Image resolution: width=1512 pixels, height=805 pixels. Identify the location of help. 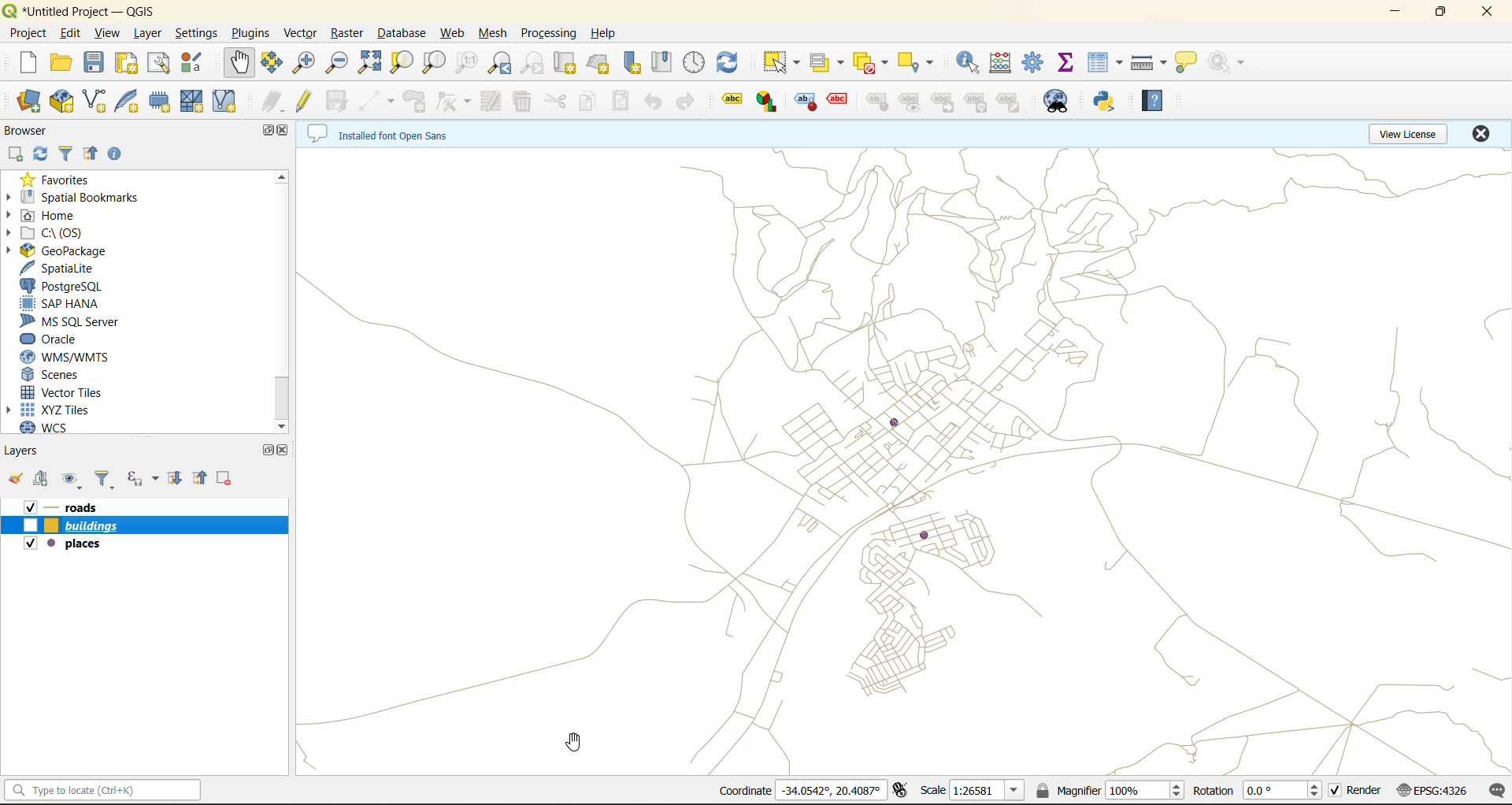
(606, 35).